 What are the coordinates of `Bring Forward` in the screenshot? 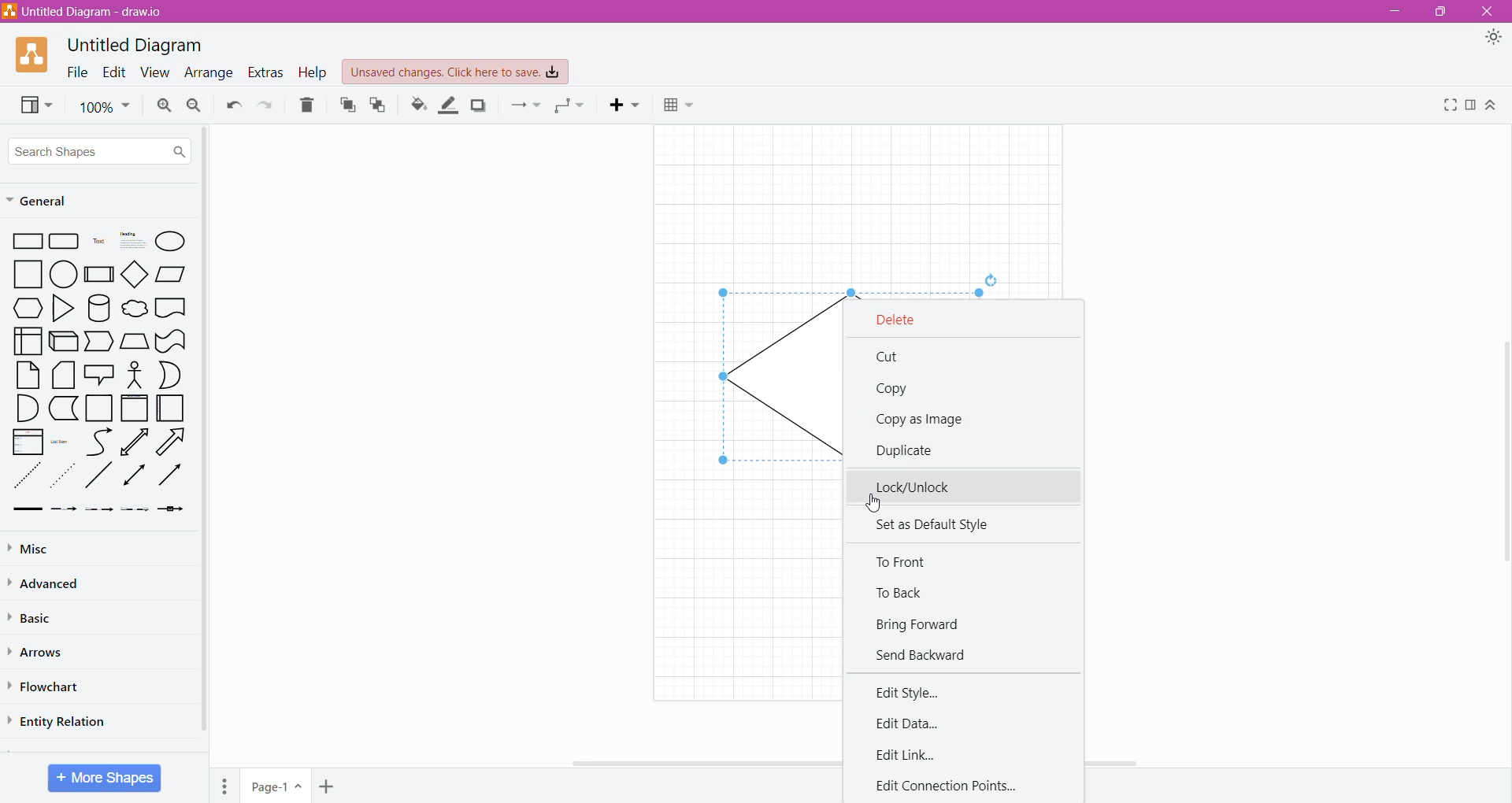 It's located at (923, 625).